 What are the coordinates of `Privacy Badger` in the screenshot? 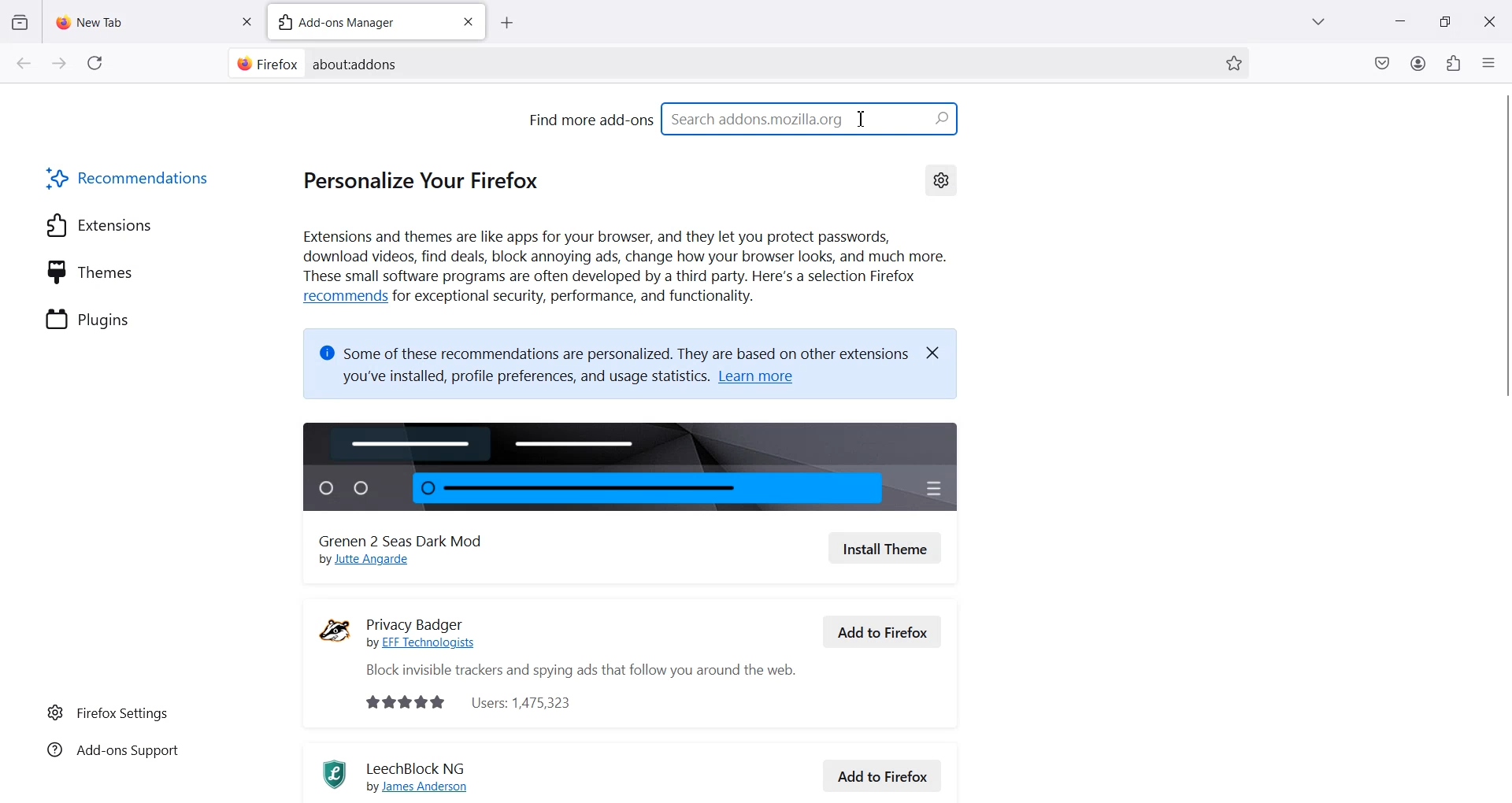 It's located at (433, 617).